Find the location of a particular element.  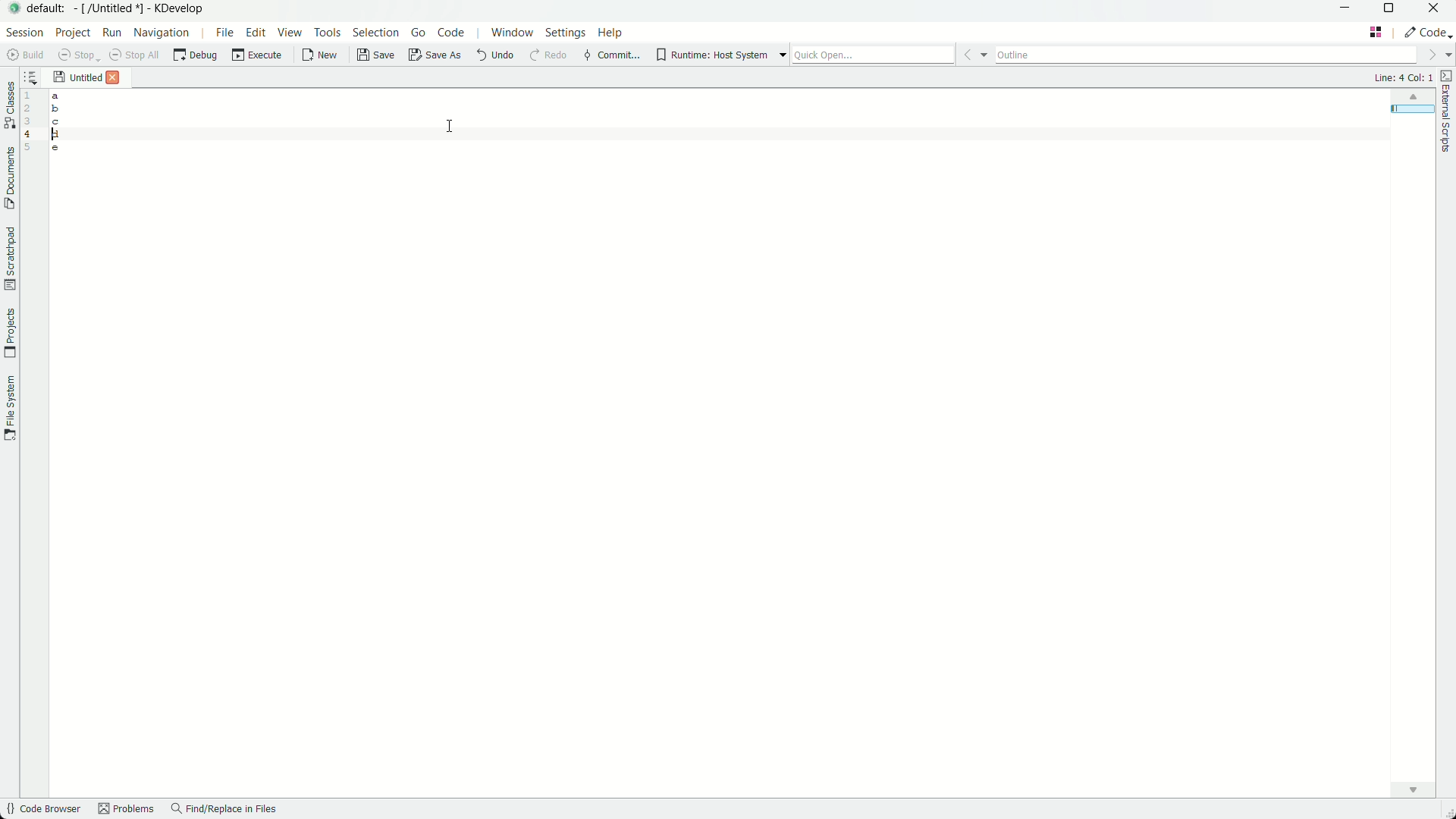

d is located at coordinates (56, 136).